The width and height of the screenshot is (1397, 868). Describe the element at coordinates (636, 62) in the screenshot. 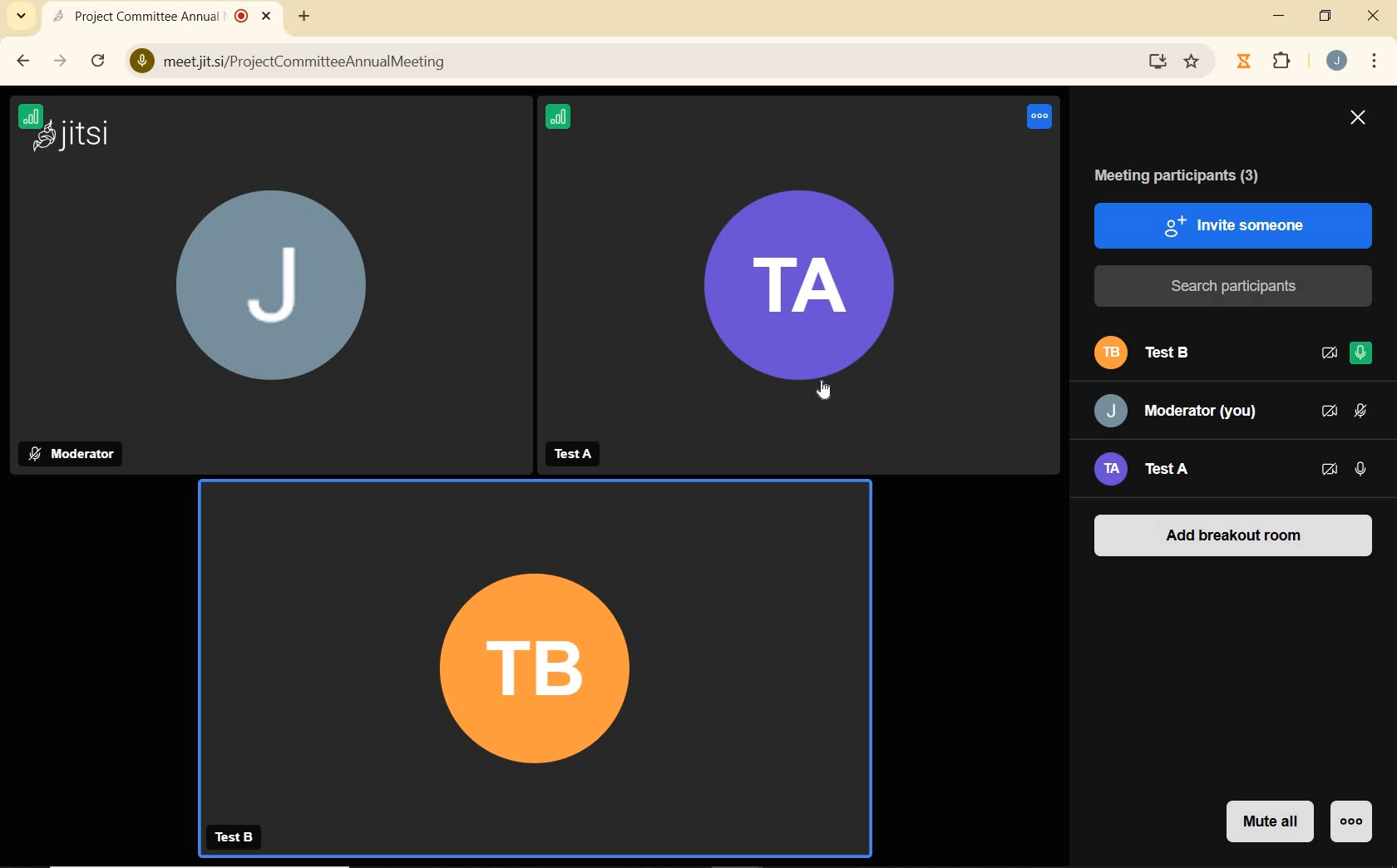

I see `) meetjit.si/ProjectCommitteeAnnualMeeting` at that location.